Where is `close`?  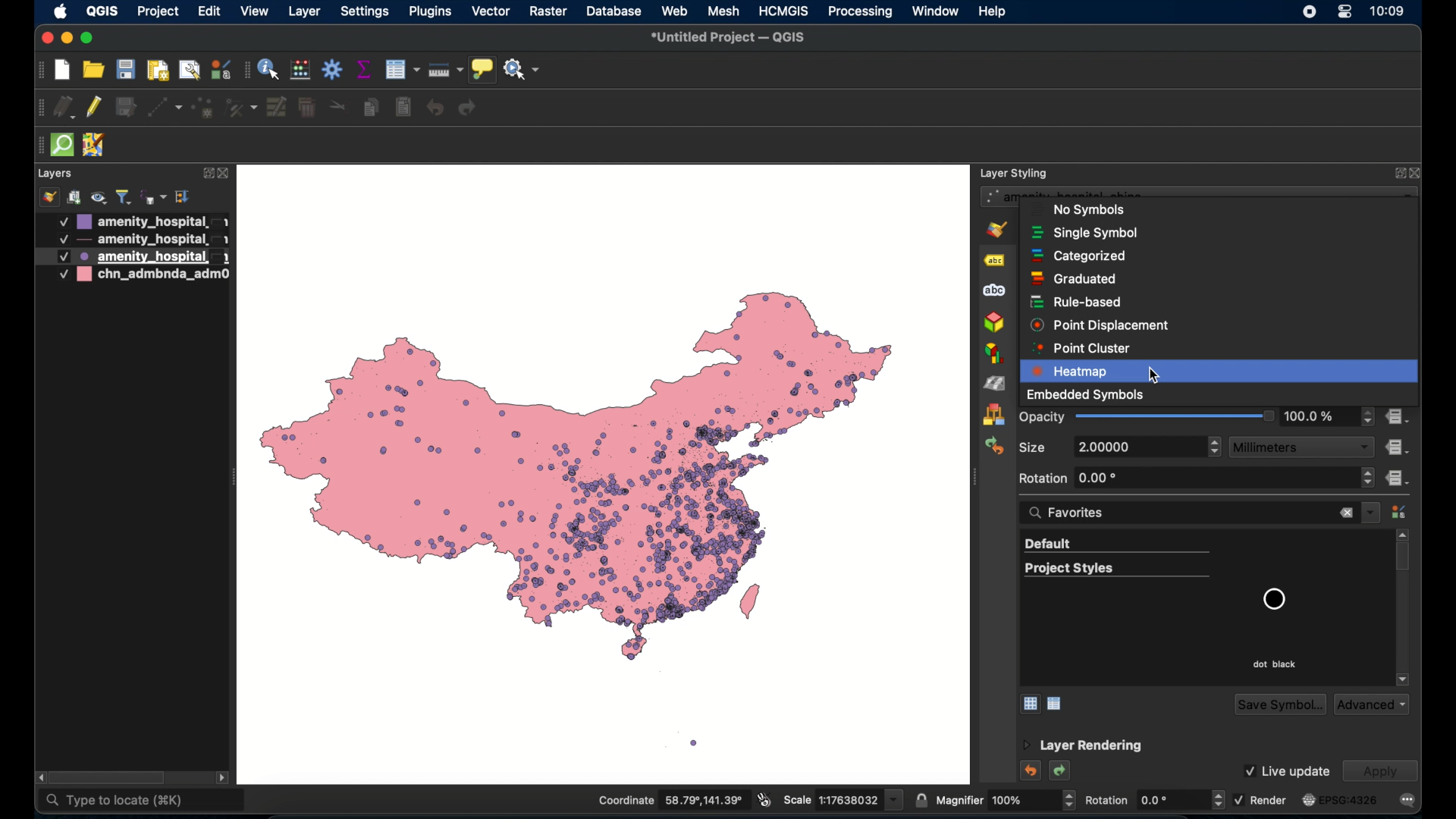
close is located at coordinates (225, 174).